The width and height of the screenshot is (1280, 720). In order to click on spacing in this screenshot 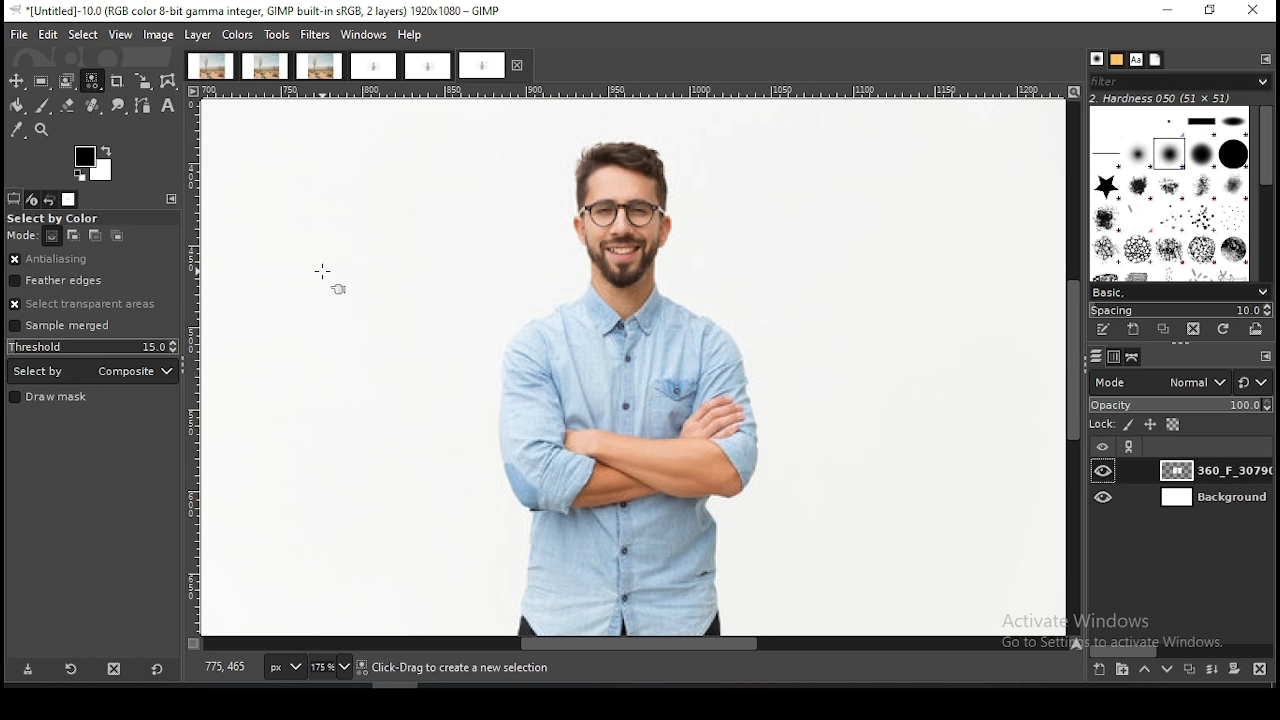, I will do `click(1178, 311)`.